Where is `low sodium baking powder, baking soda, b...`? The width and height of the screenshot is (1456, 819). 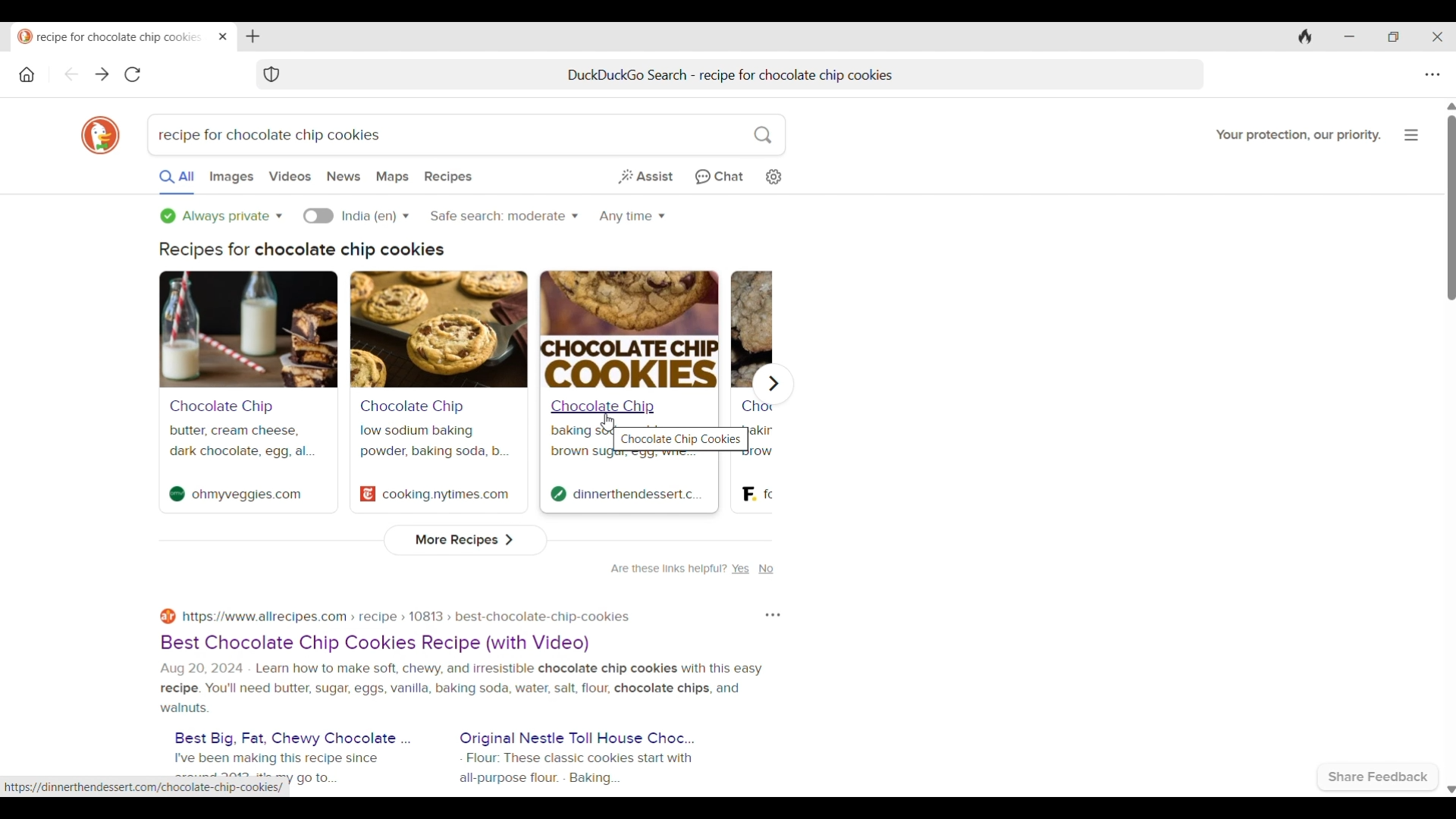
low sodium baking powder, baking soda, b... is located at coordinates (435, 442).